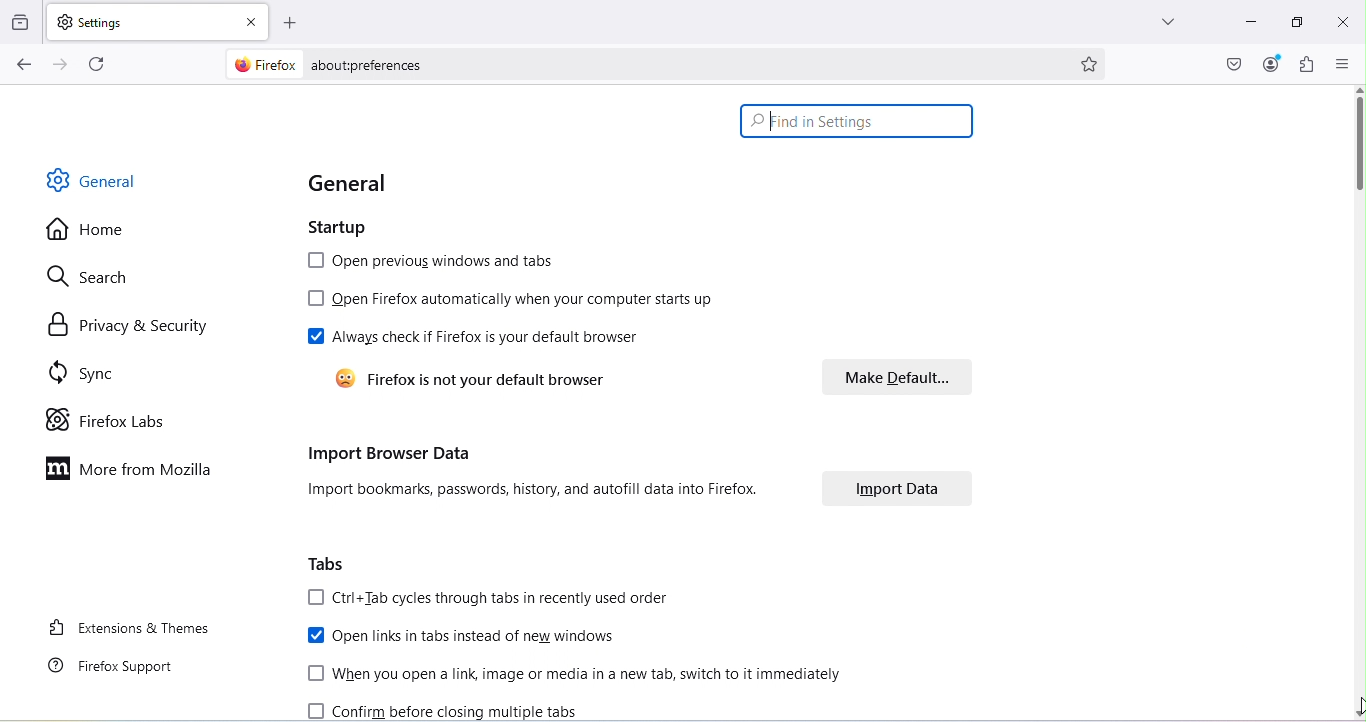 This screenshot has width=1366, height=722. I want to click on Search, so click(84, 277).